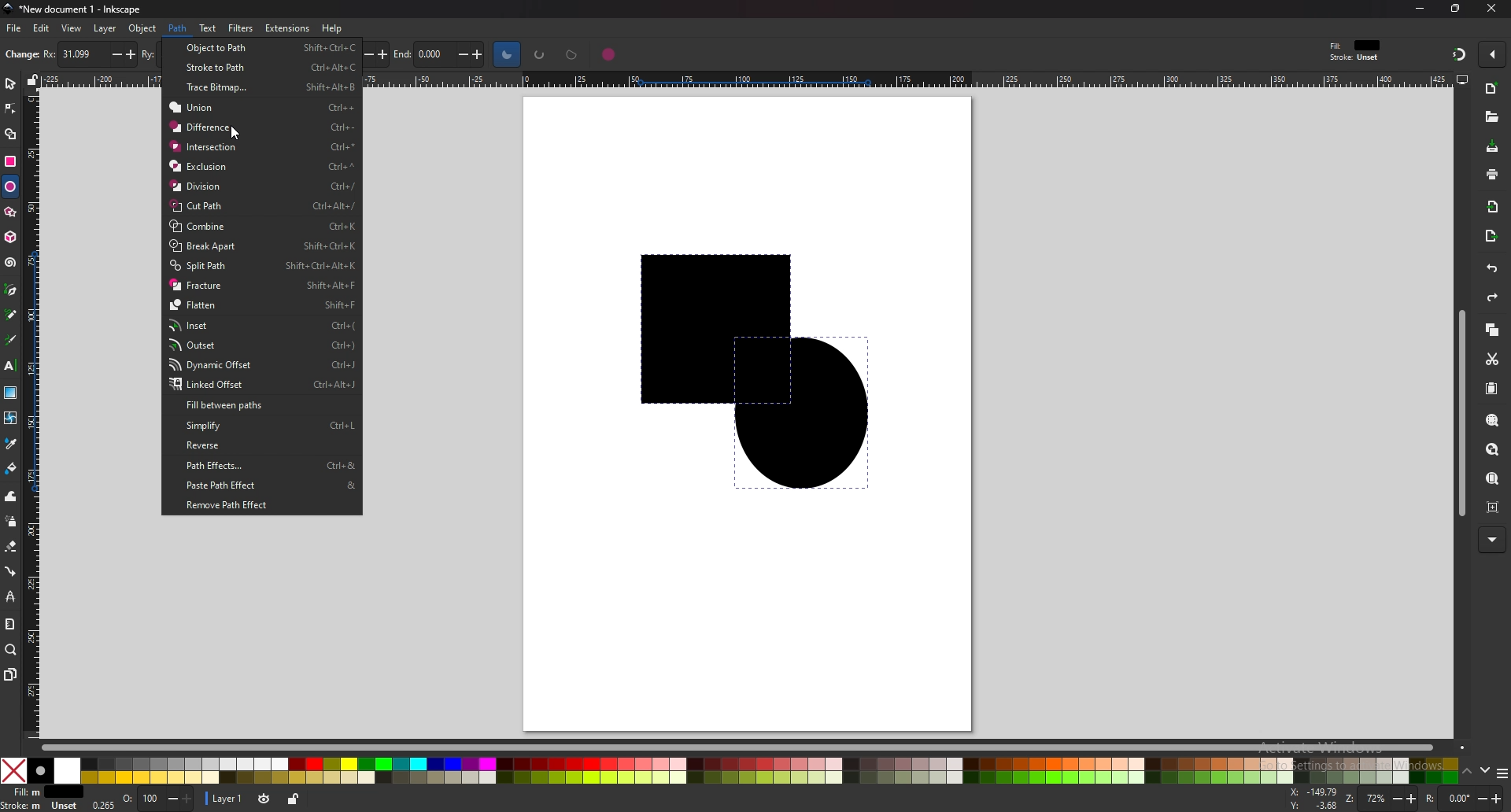 This screenshot has width=1511, height=812. Describe the element at coordinates (1492, 174) in the screenshot. I see `print` at that location.